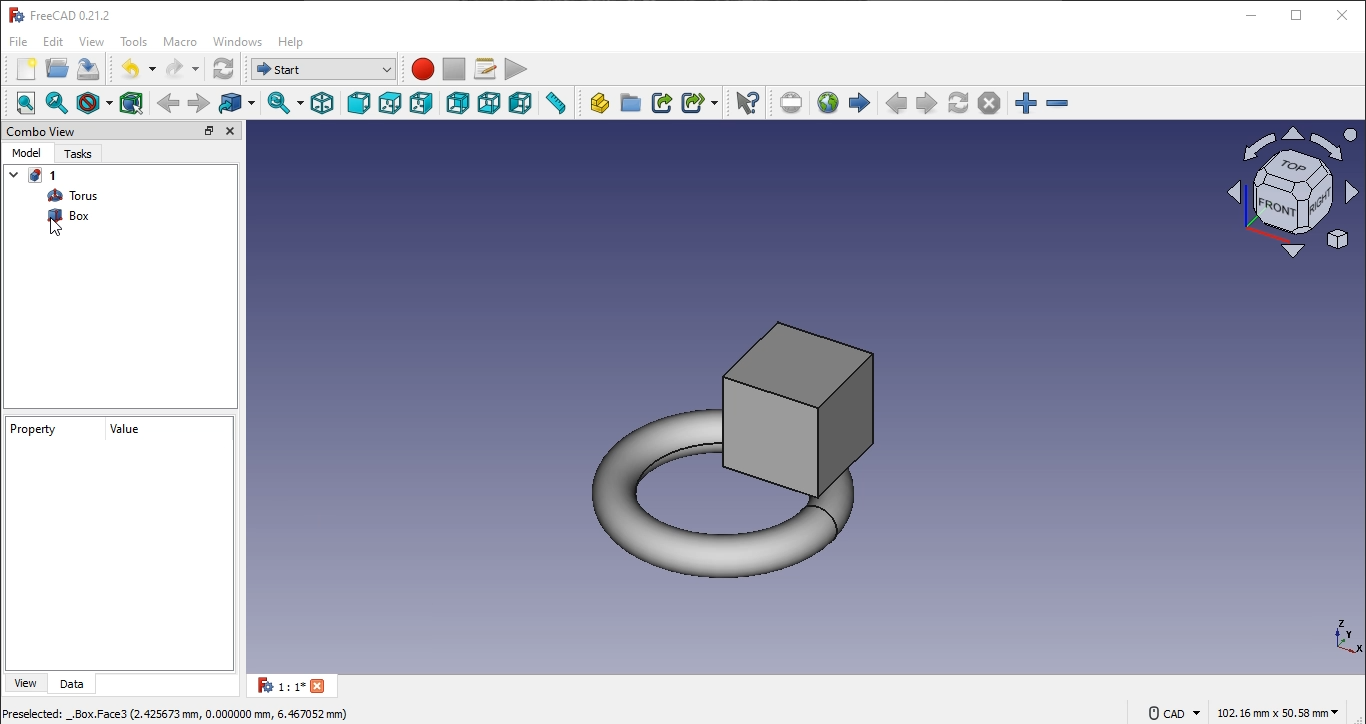 This screenshot has width=1366, height=724. What do you see at coordinates (320, 67) in the screenshot?
I see `workbench` at bounding box center [320, 67].